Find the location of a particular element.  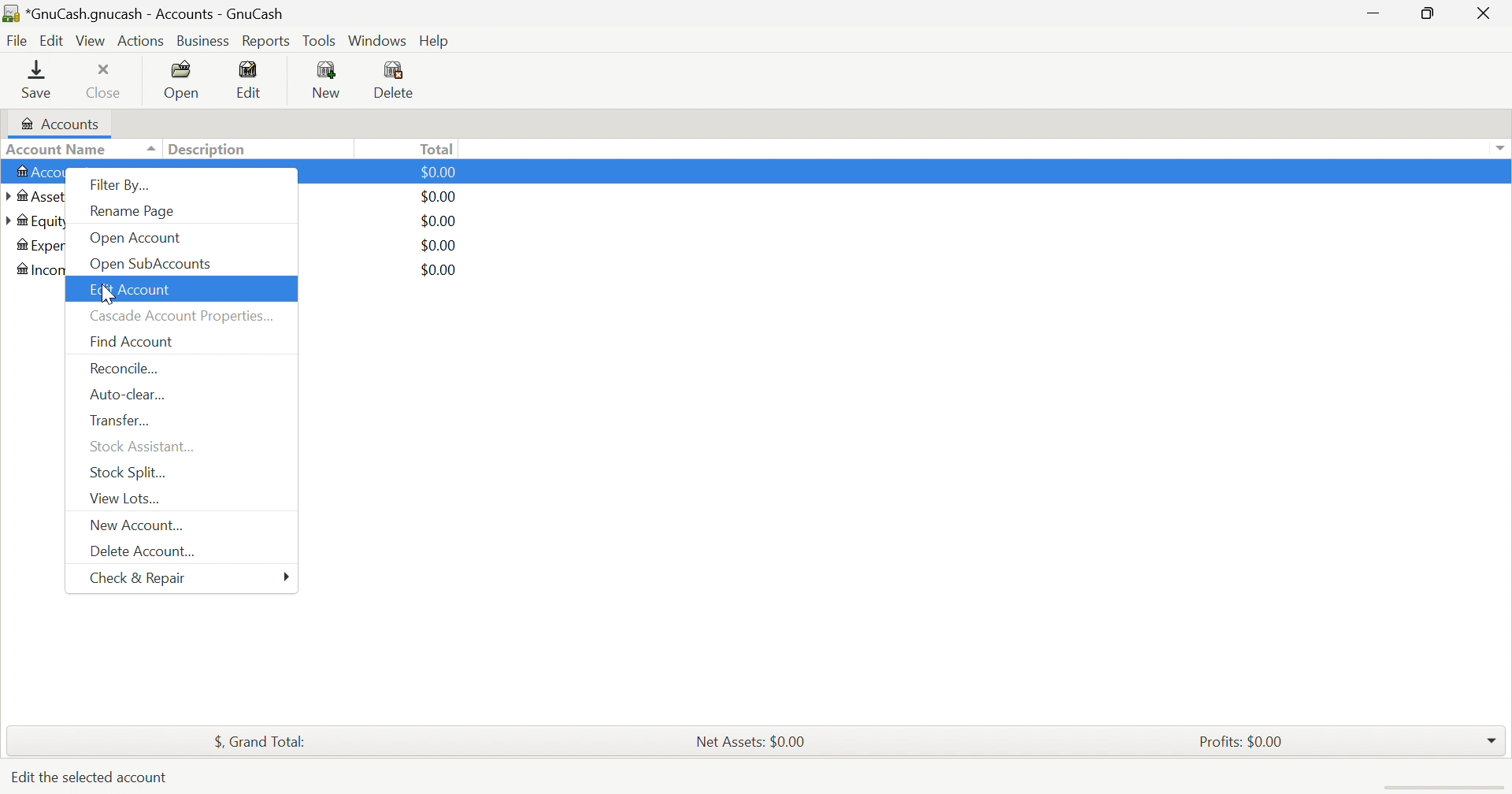

$0.00 is located at coordinates (439, 244).